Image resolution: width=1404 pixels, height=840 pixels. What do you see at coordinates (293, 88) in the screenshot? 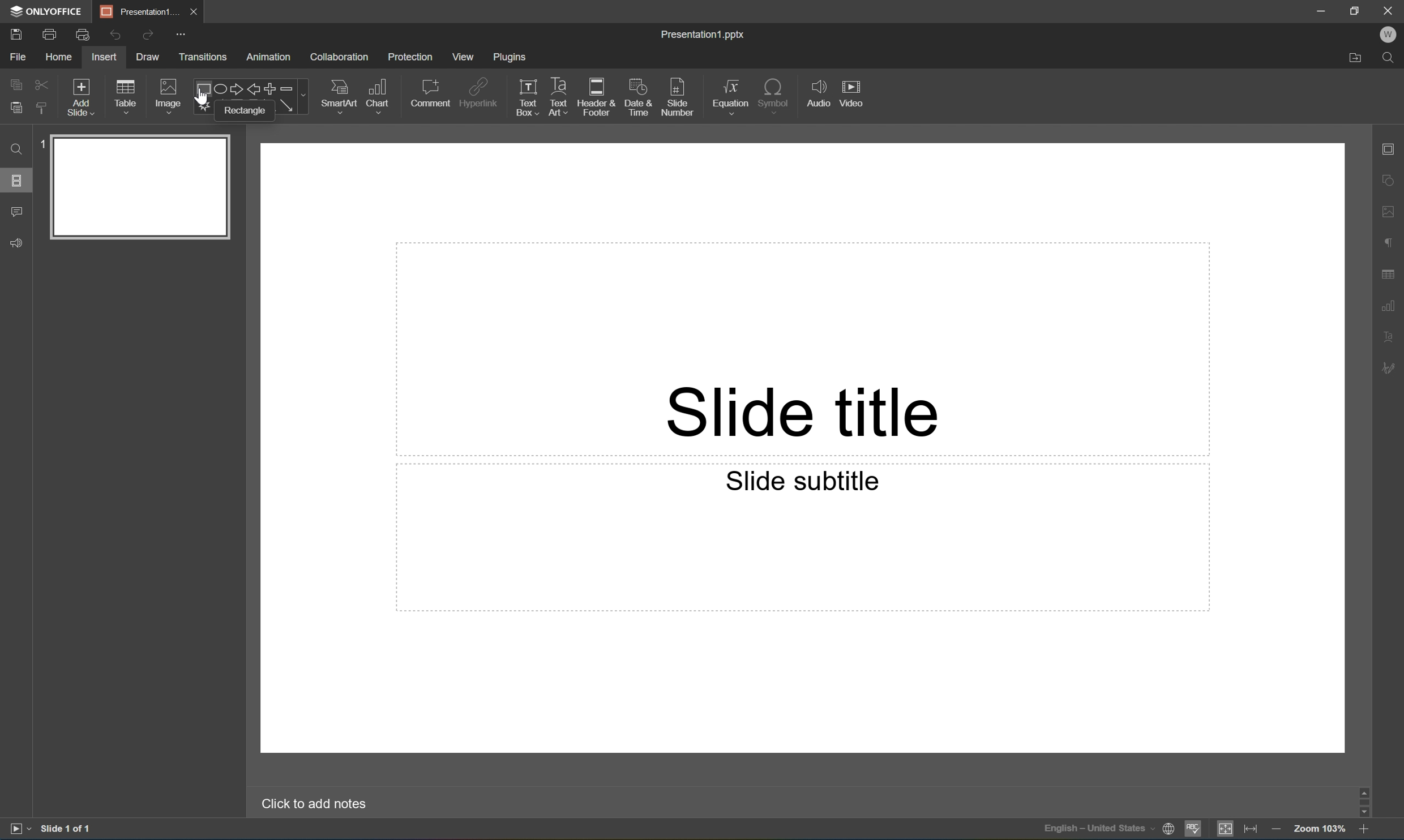
I see `Minus` at bounding box center [293, 88].